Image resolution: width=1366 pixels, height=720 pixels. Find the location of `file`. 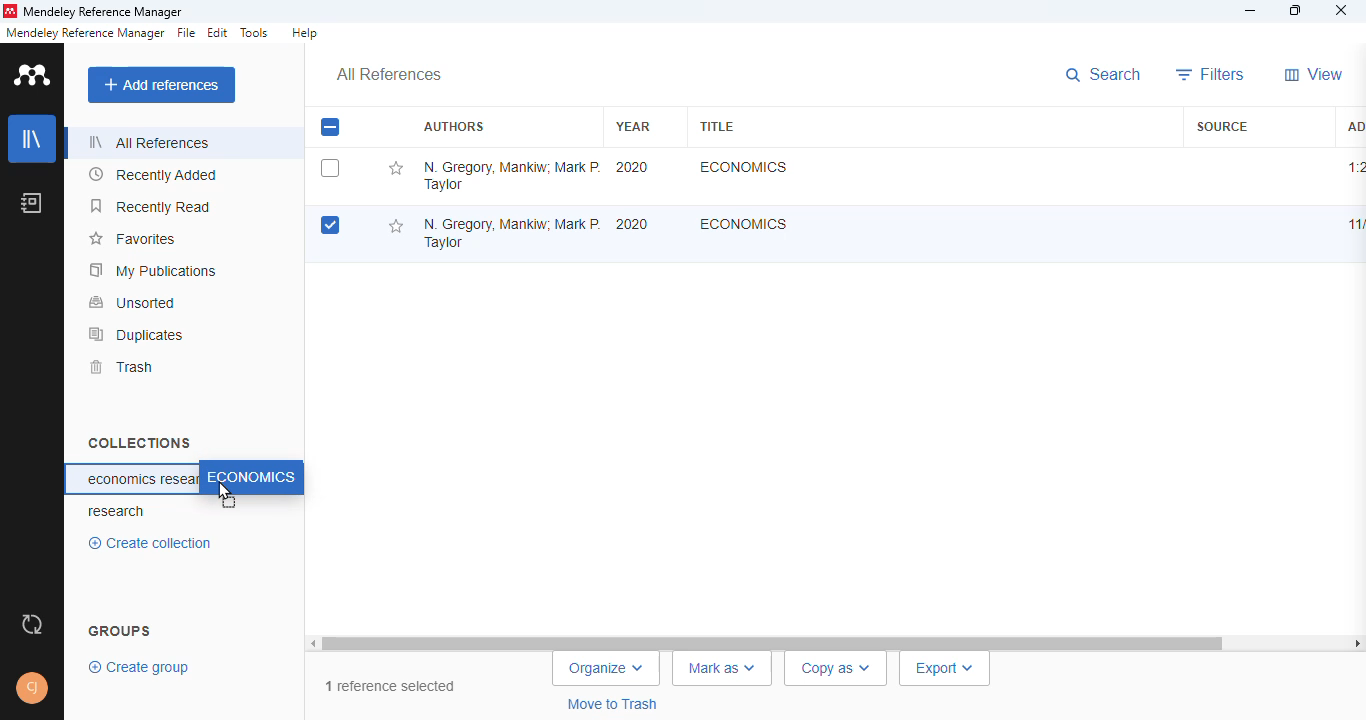

file is located at coordinates (186, 33).